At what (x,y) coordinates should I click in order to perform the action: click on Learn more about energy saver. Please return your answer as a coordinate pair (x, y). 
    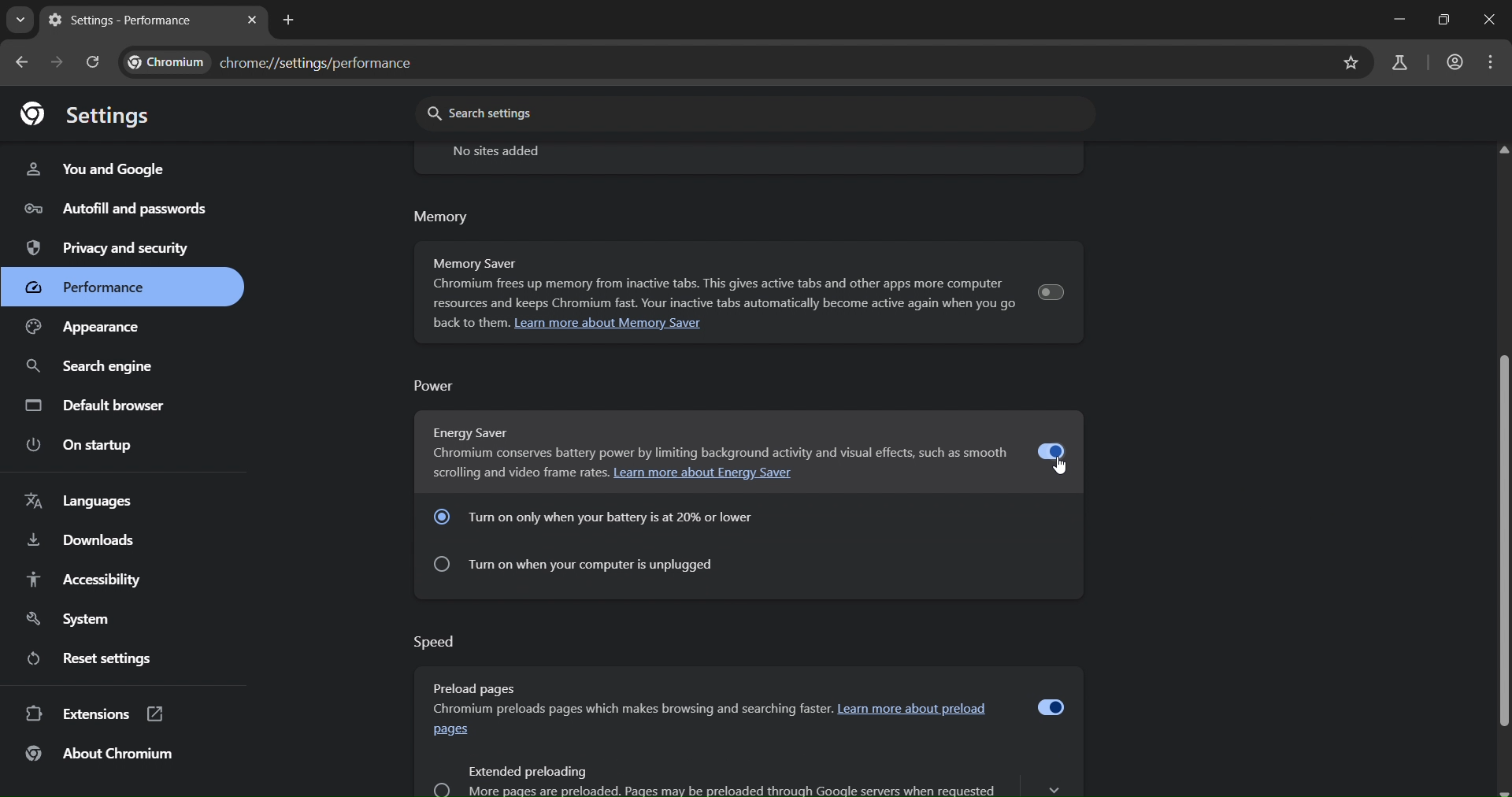
    Looking at the image, I should click on (708, 473).